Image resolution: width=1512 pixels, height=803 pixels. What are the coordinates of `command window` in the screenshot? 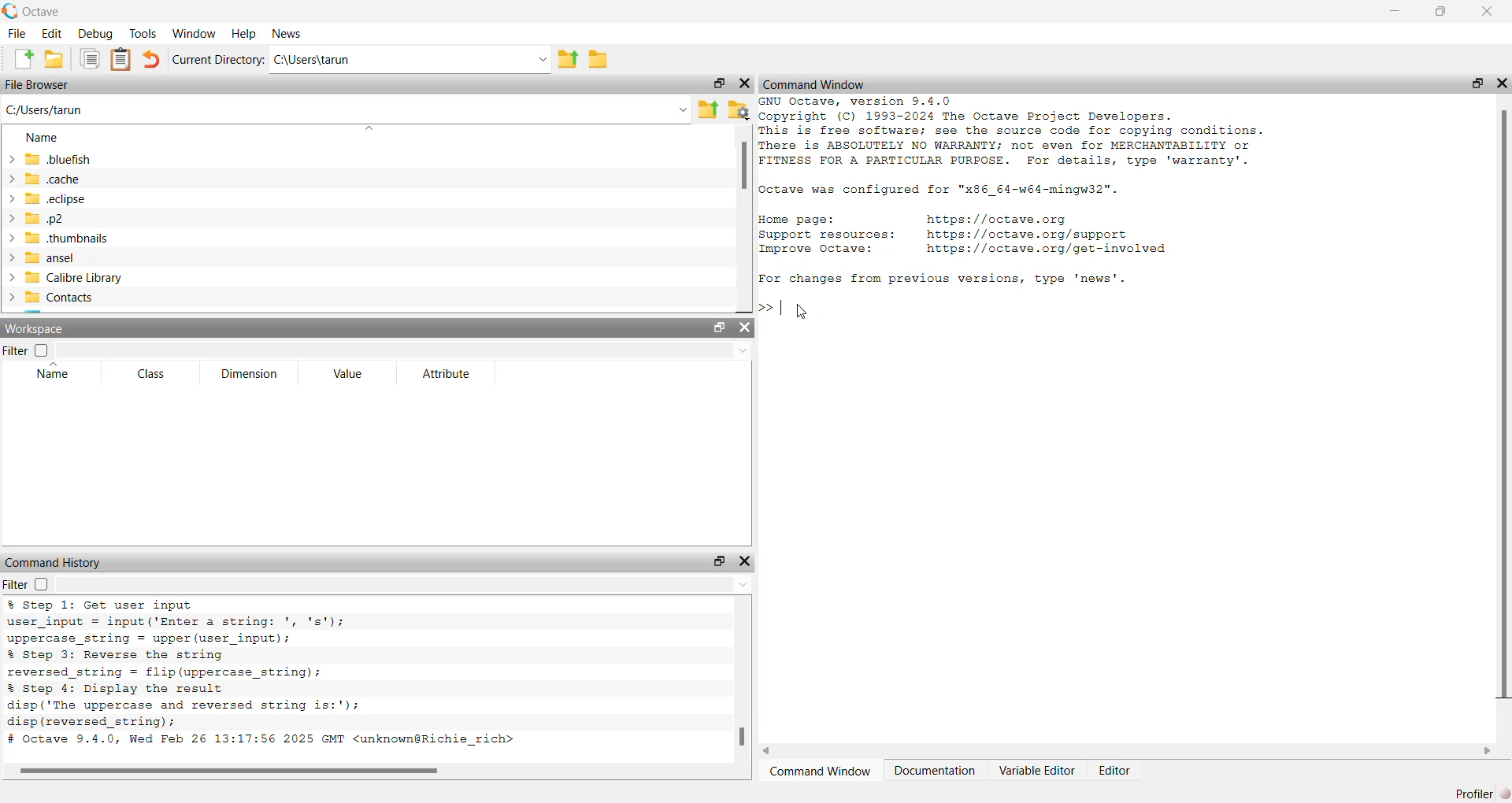 It's located at (817, 772).